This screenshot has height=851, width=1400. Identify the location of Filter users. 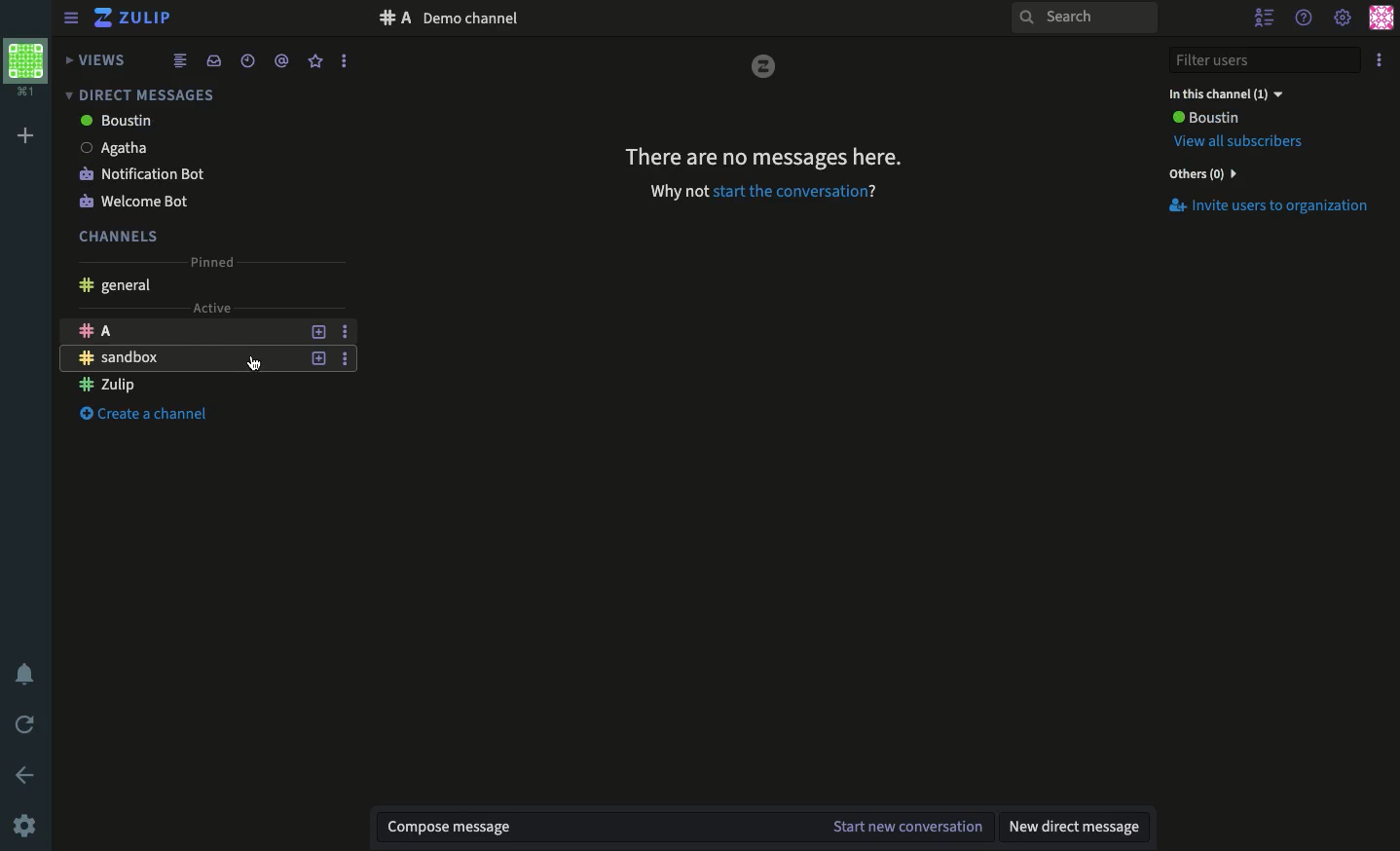
(1266, 61).